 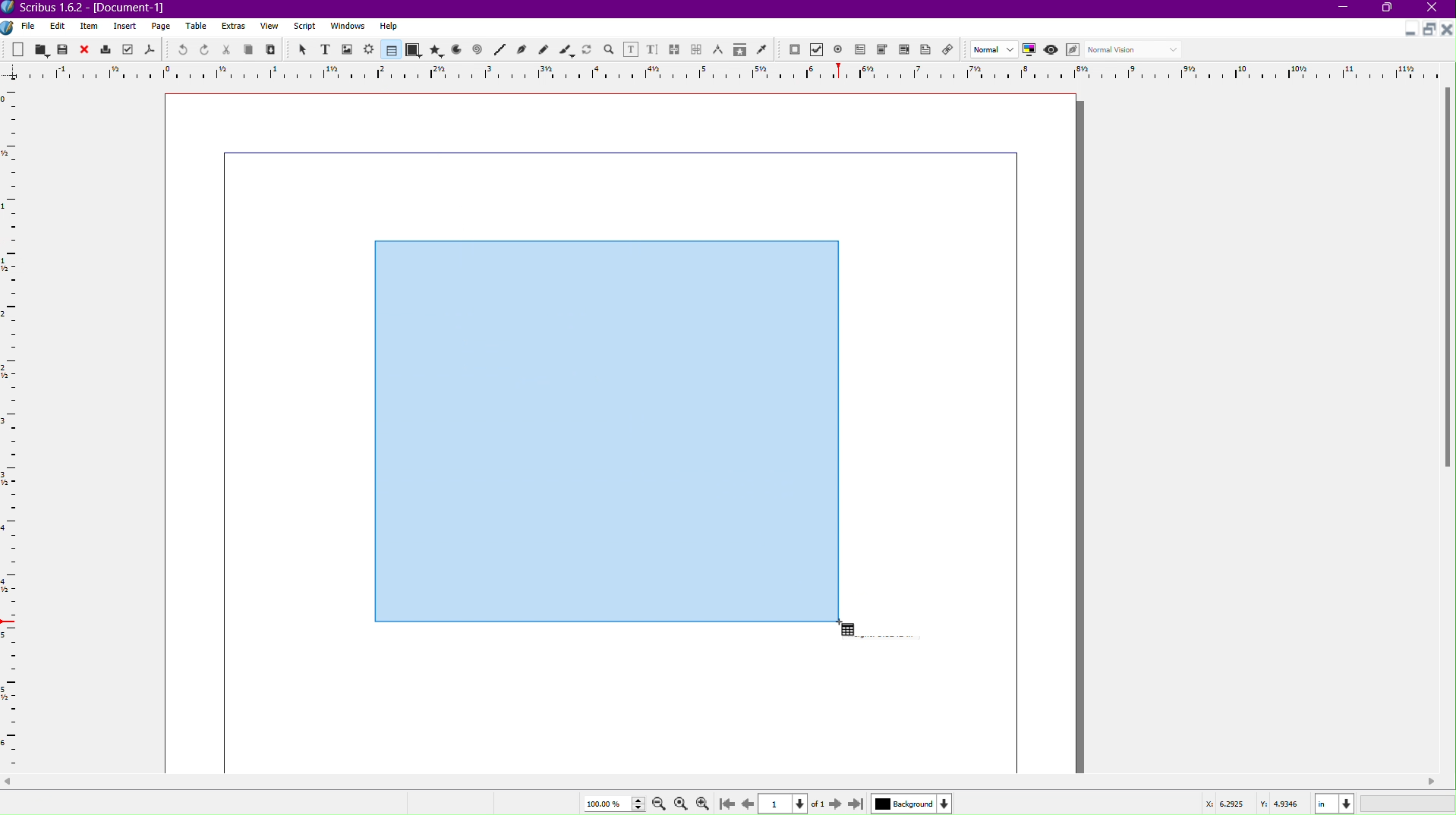 I want to click on Line, so click(x=499, y=50).